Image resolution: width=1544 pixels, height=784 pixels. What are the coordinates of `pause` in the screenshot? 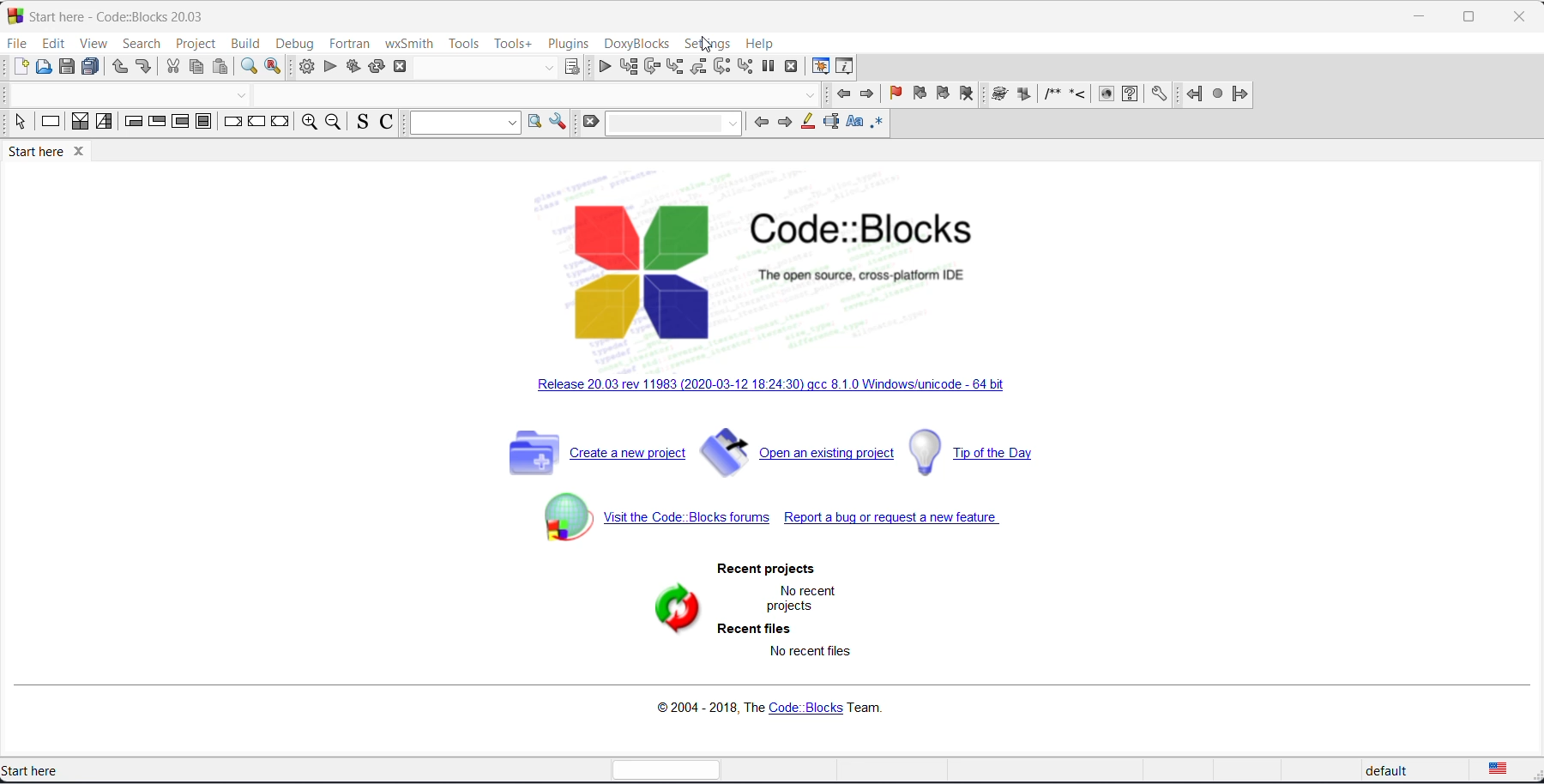 It's located at (1024, 94).